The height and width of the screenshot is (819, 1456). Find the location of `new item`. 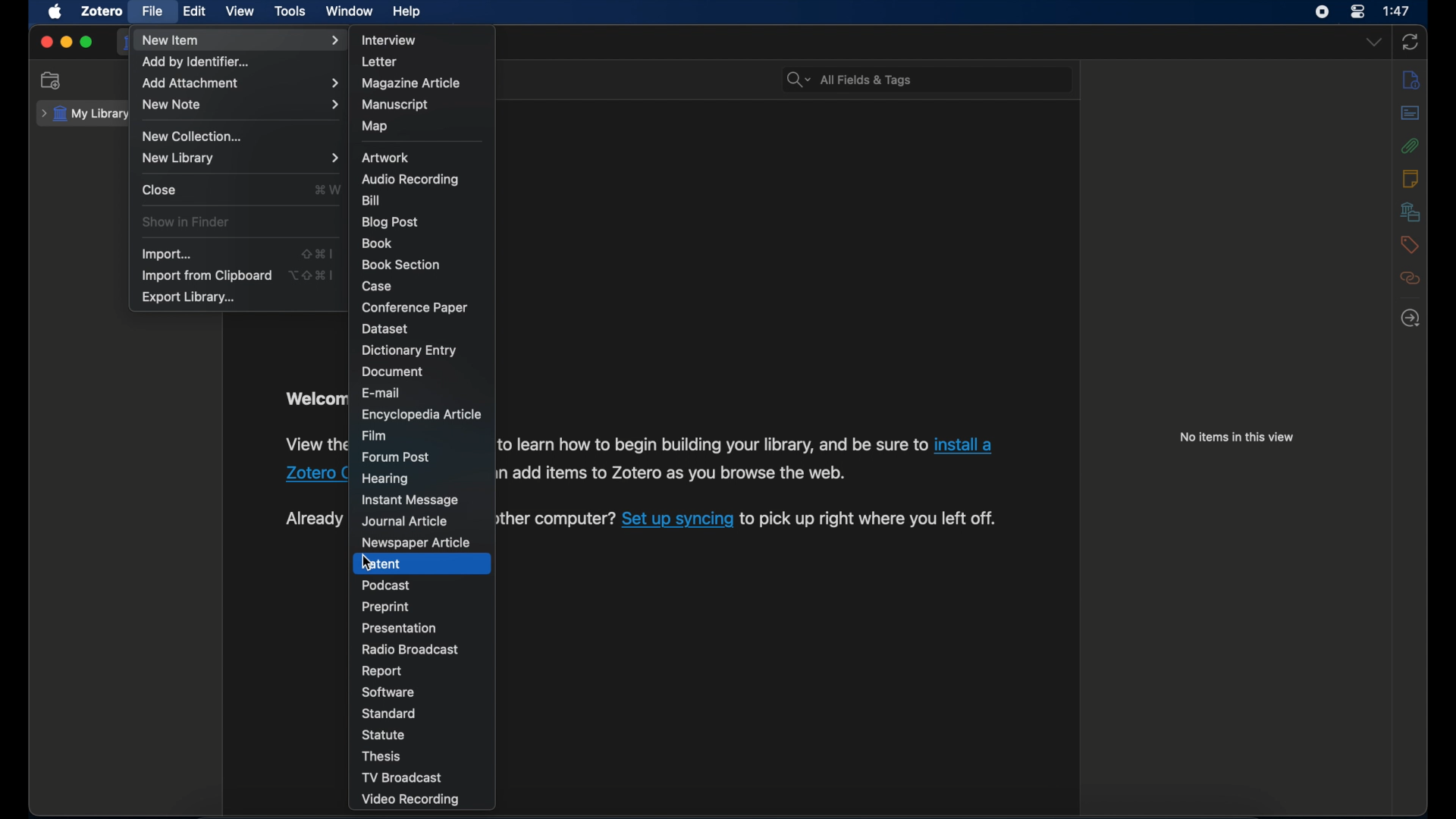

new item is located at coordinates (240, 40).